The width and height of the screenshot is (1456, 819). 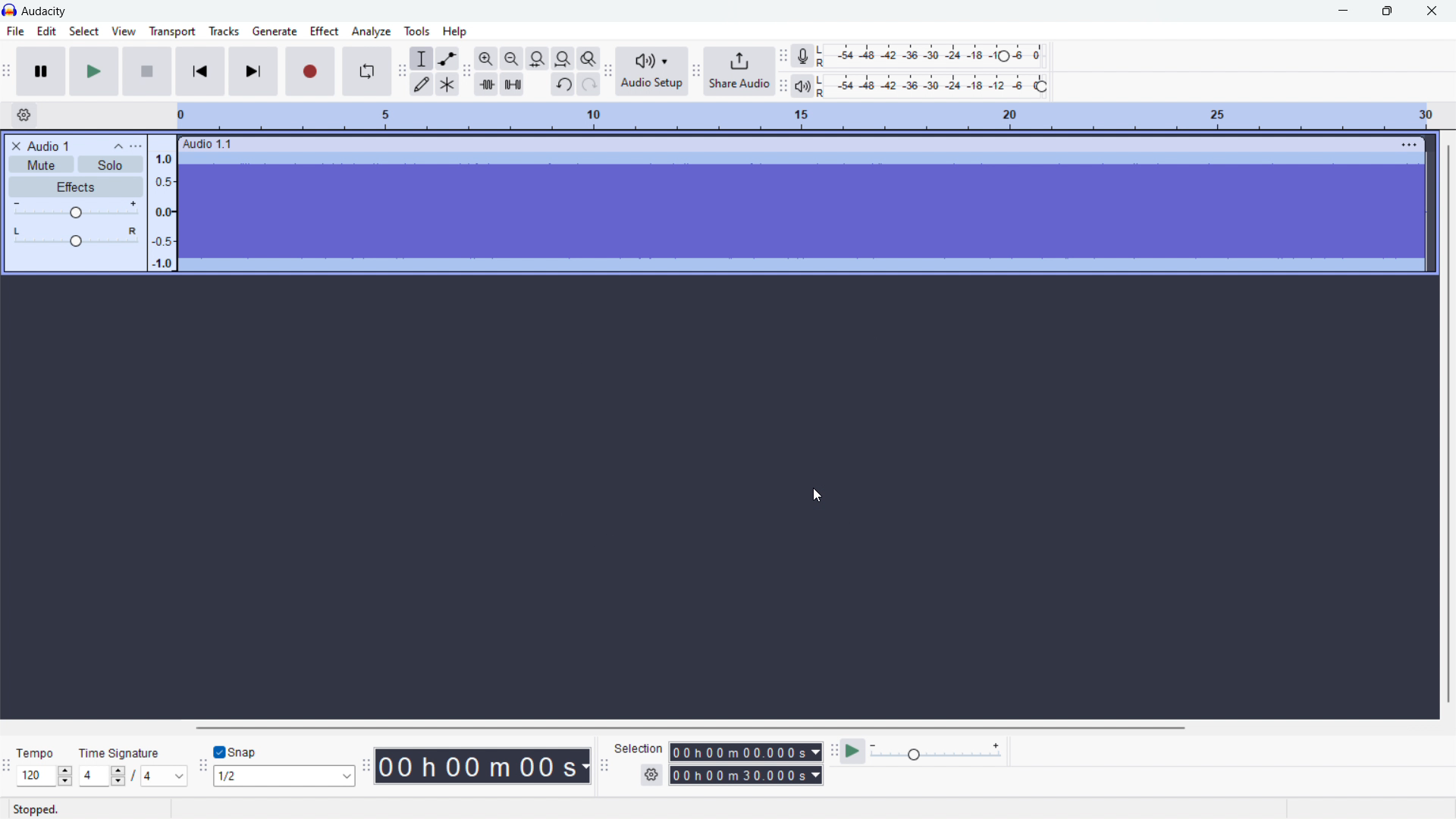 What do you see at coordinates (696, 72) in the screenshot?
I see `sgare audio toolbar` at bounding box center [696, 72].